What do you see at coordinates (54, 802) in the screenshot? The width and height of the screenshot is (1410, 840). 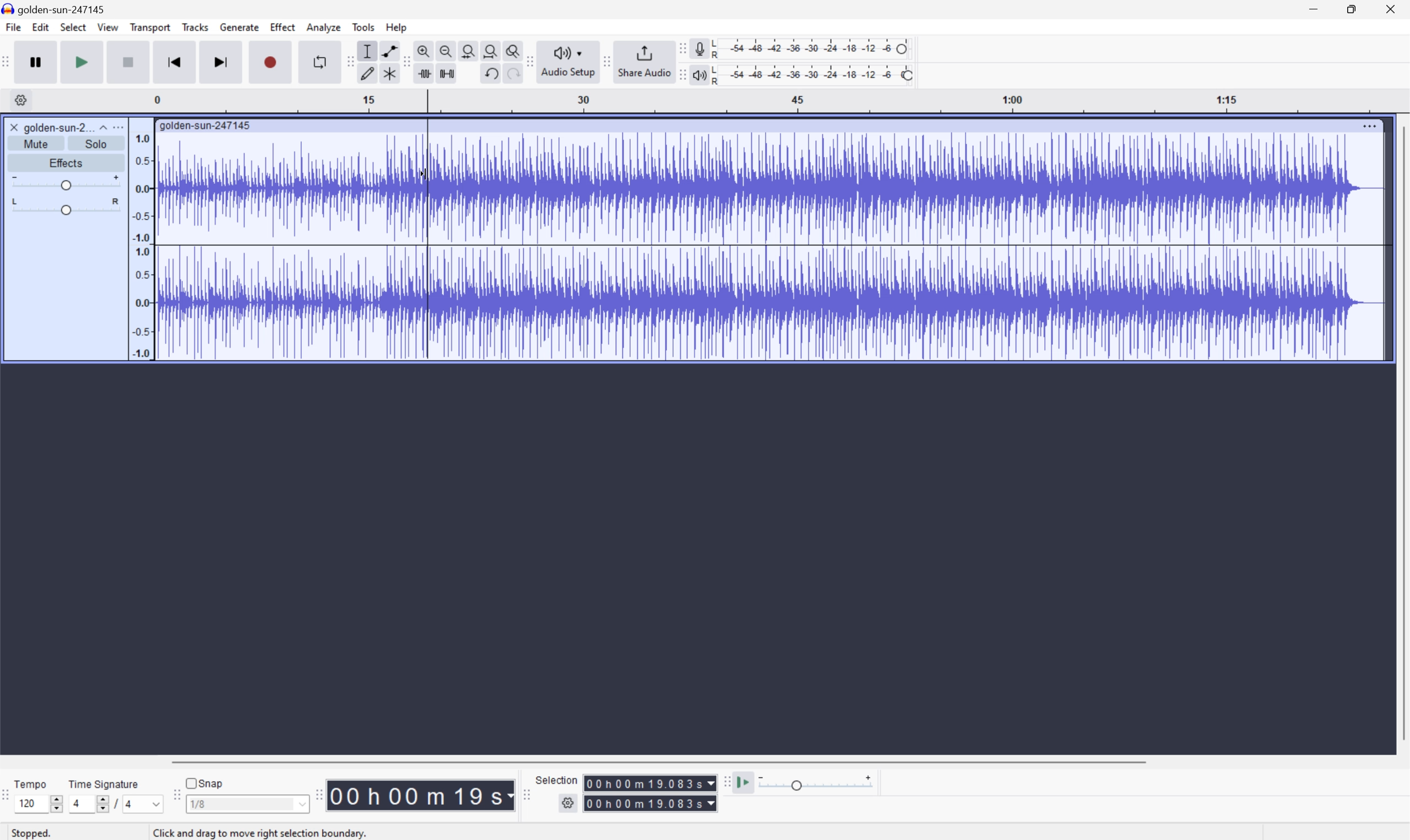 I see `Slider` at bounding box center [54, 802].